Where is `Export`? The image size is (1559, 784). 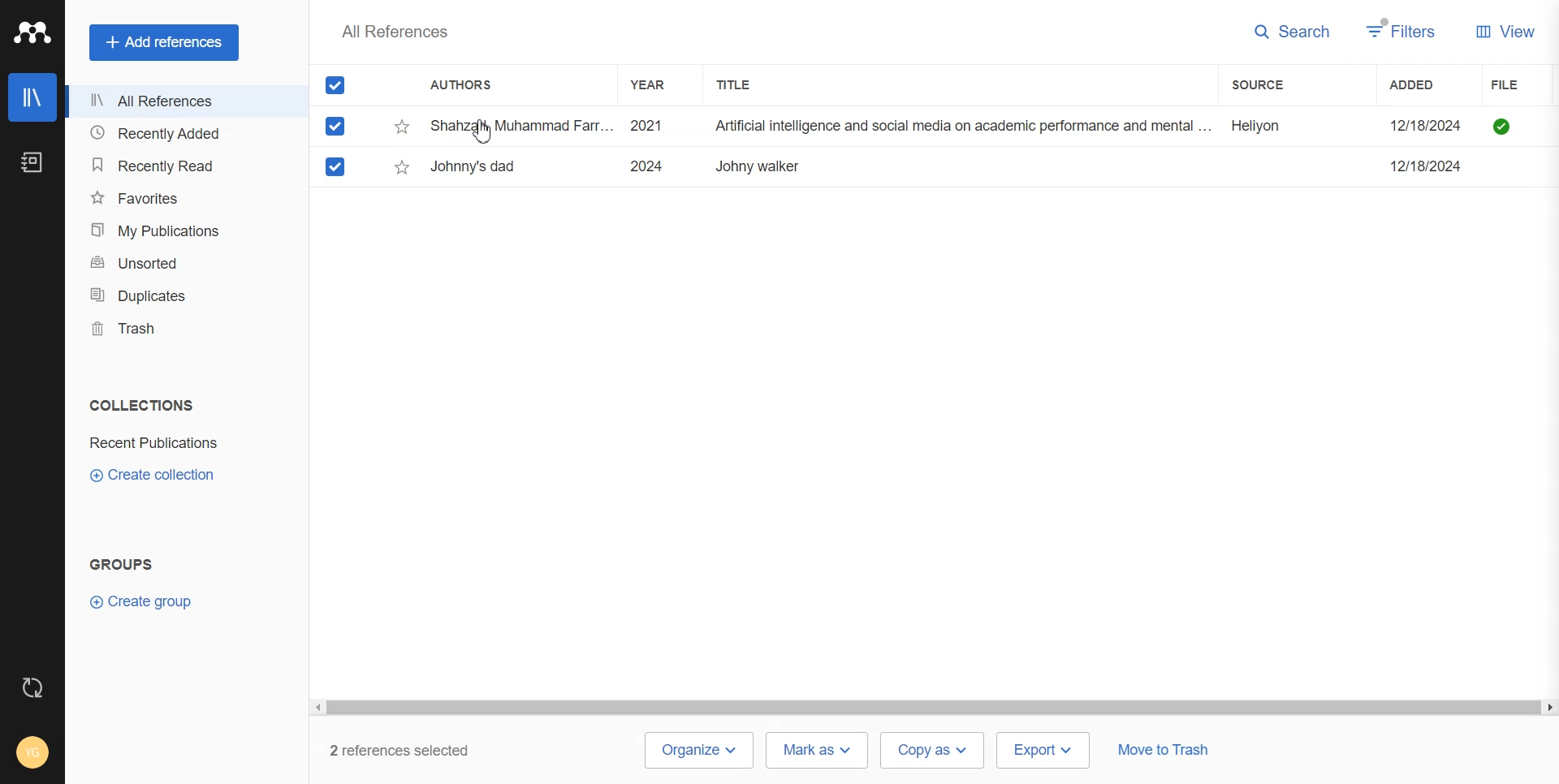 Export is located at coordinates (1044, 749).